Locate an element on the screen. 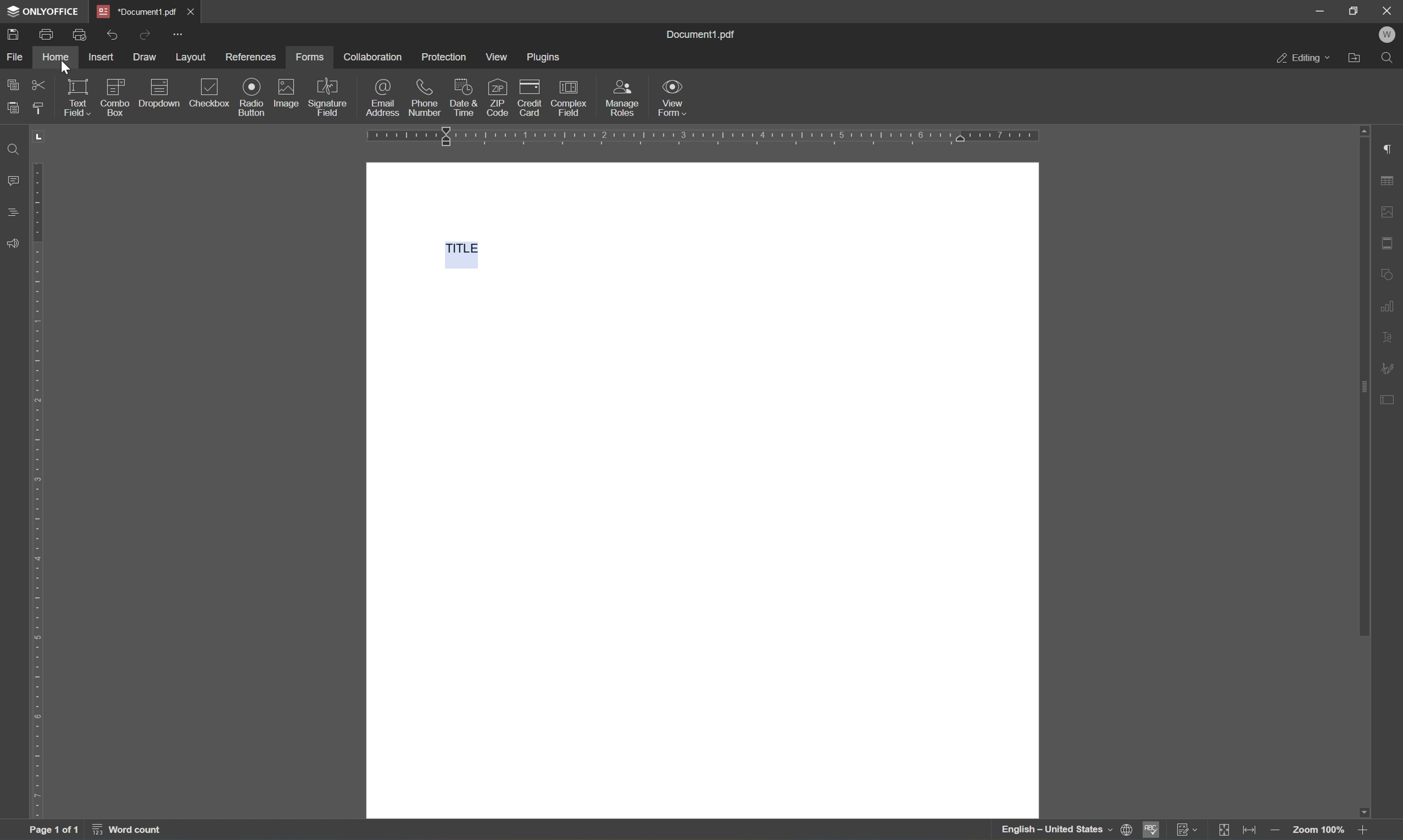 The image size is (1403, 840). credit card is located at coordinates (529, 96).